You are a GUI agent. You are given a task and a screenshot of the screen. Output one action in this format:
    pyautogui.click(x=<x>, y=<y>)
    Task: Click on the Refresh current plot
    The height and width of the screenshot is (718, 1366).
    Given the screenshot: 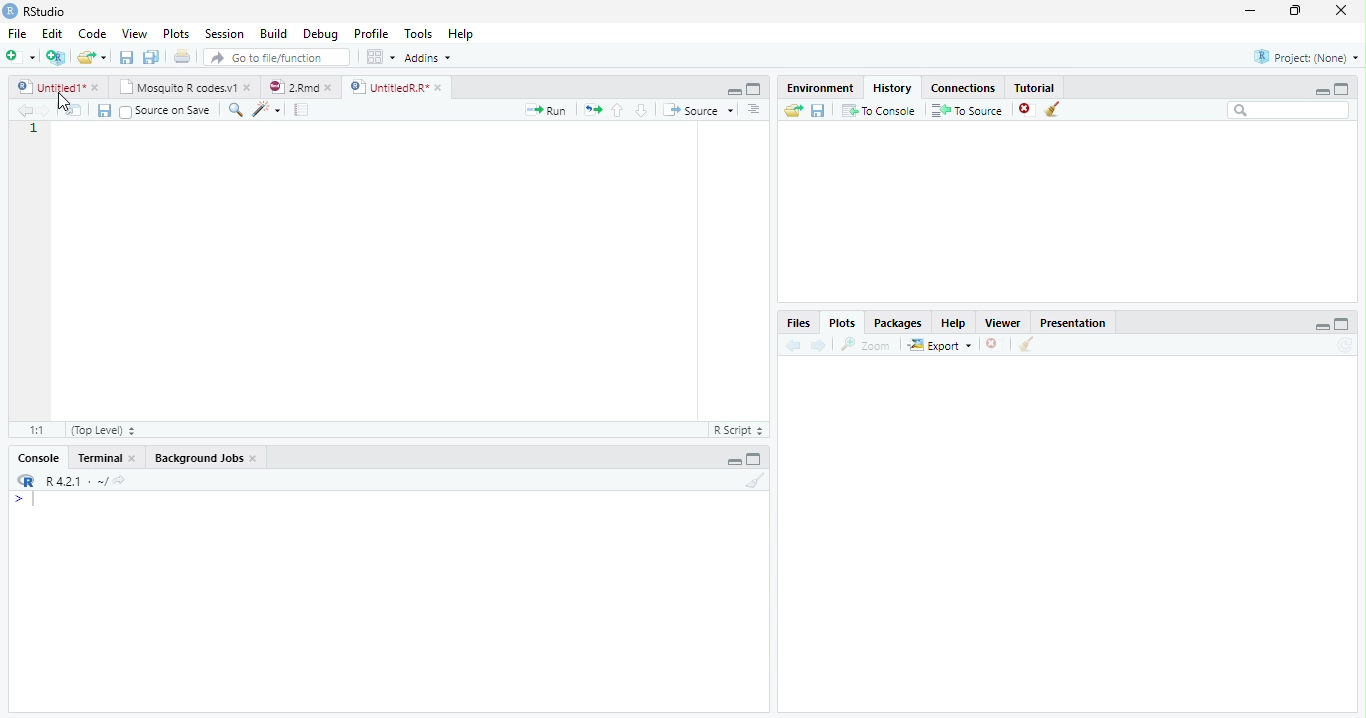 What is the action you would take?
    pyautogui.click(x=1345, y=345)
    